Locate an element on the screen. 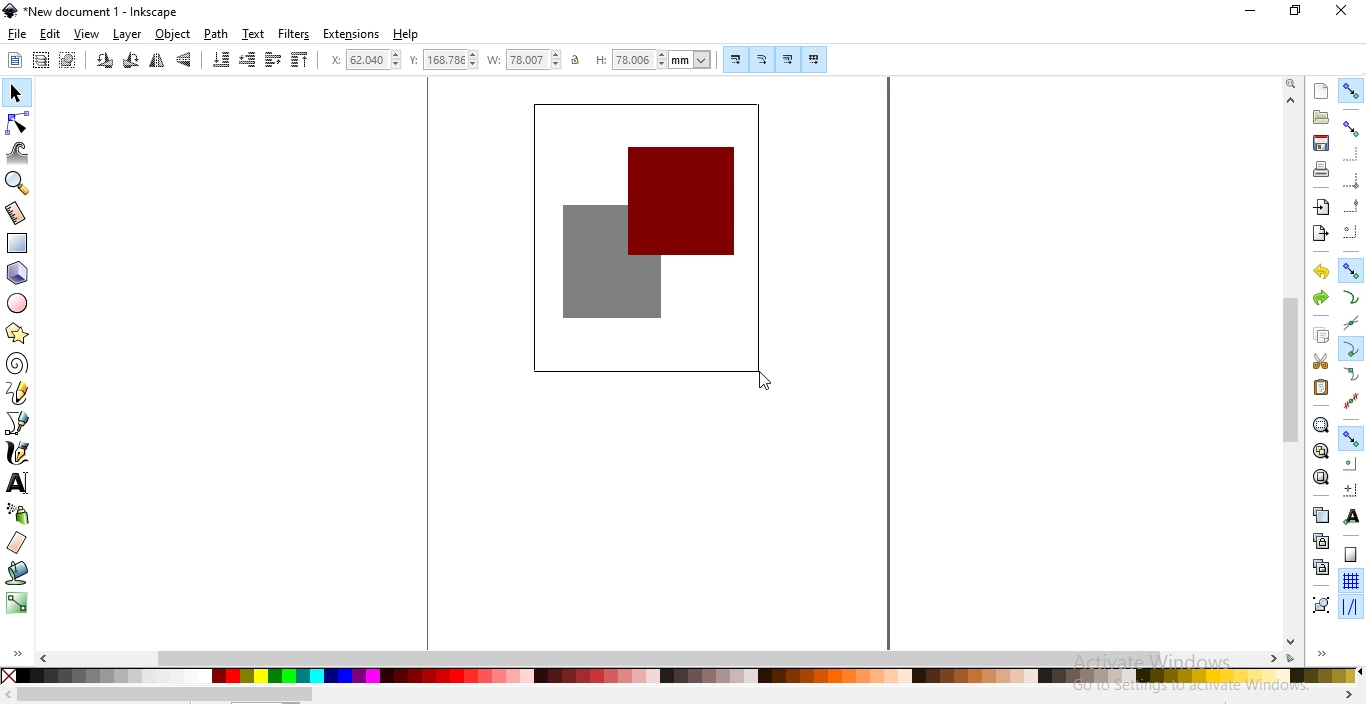  erase existing objects is located at coordinates (16, 542).